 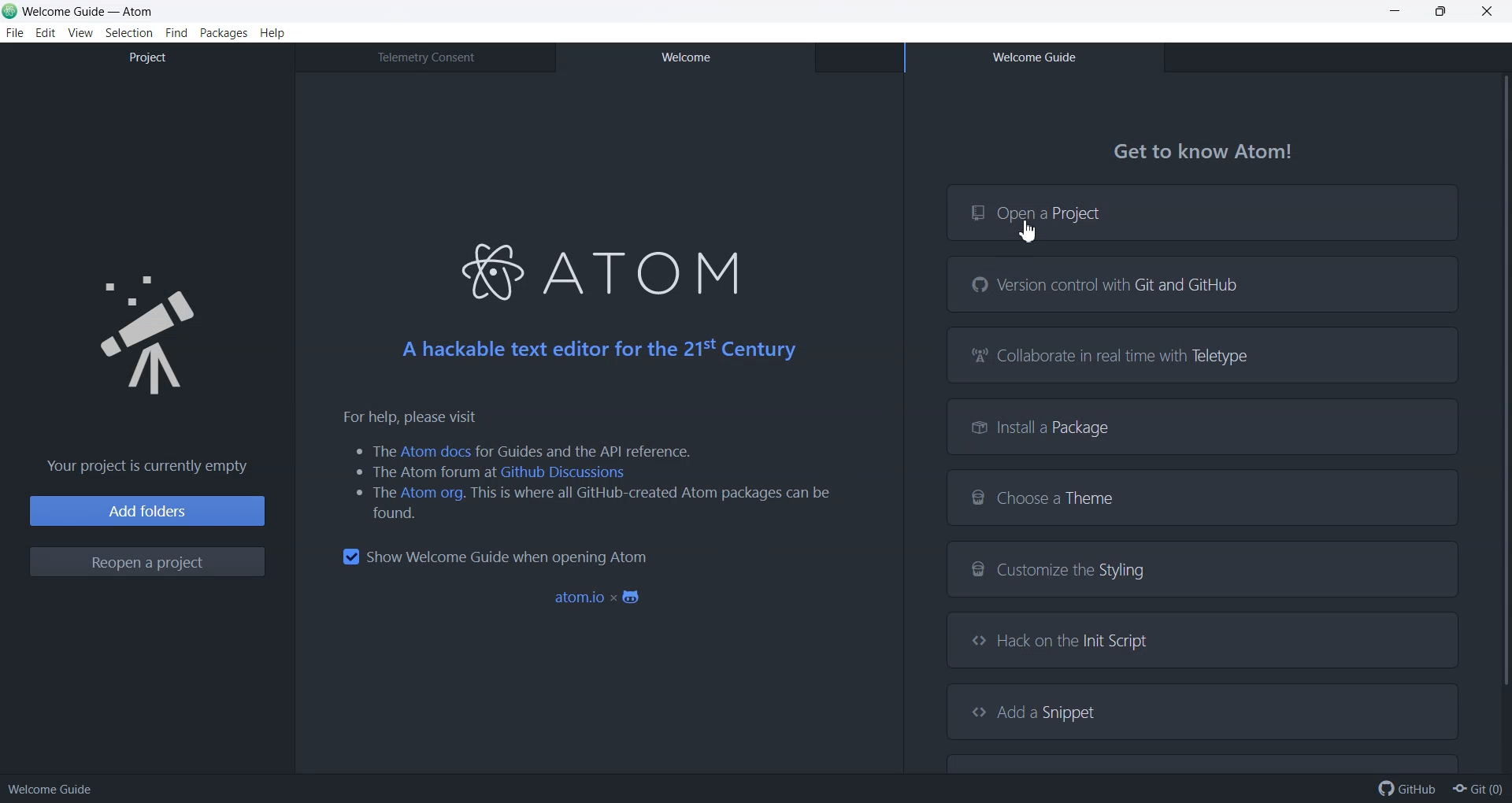 What do you see at coordinates (146, 57) in the screenshot?
I see `Project` at bounding box center [146, 57].